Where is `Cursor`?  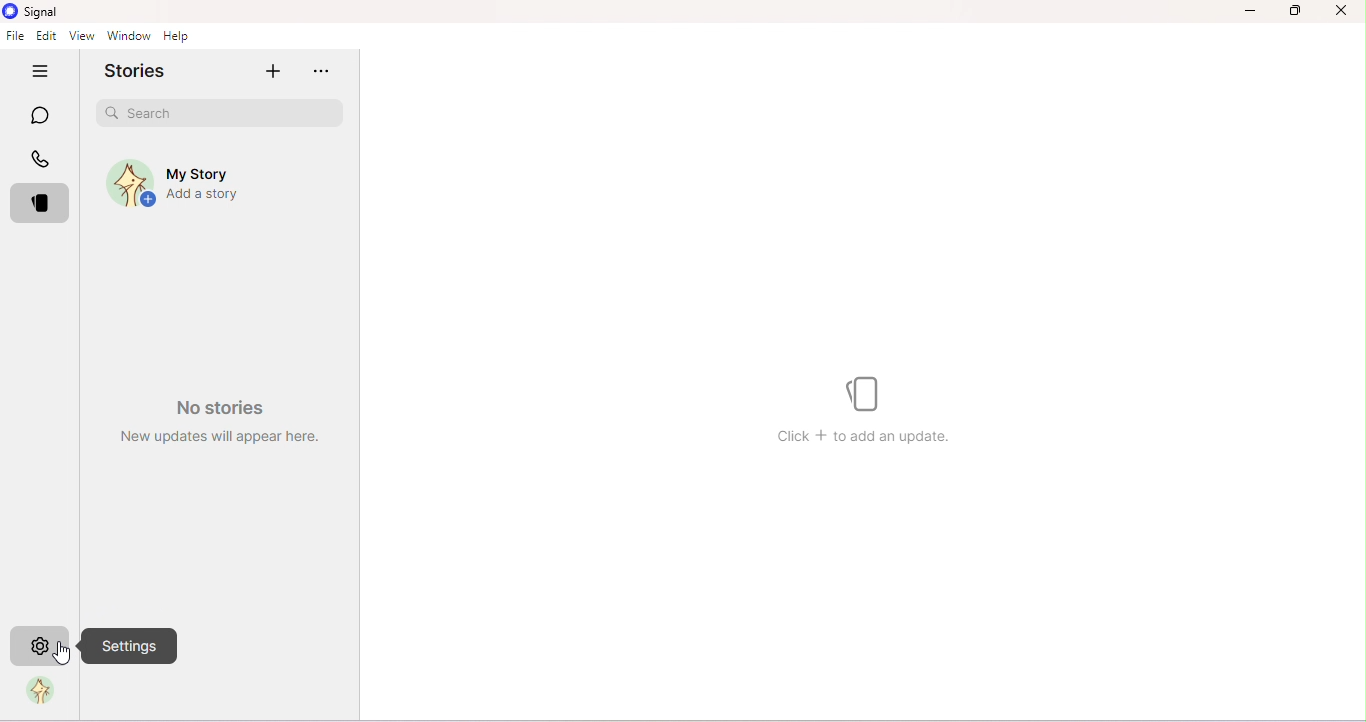 Cursor is located at coordinates (64, 652).